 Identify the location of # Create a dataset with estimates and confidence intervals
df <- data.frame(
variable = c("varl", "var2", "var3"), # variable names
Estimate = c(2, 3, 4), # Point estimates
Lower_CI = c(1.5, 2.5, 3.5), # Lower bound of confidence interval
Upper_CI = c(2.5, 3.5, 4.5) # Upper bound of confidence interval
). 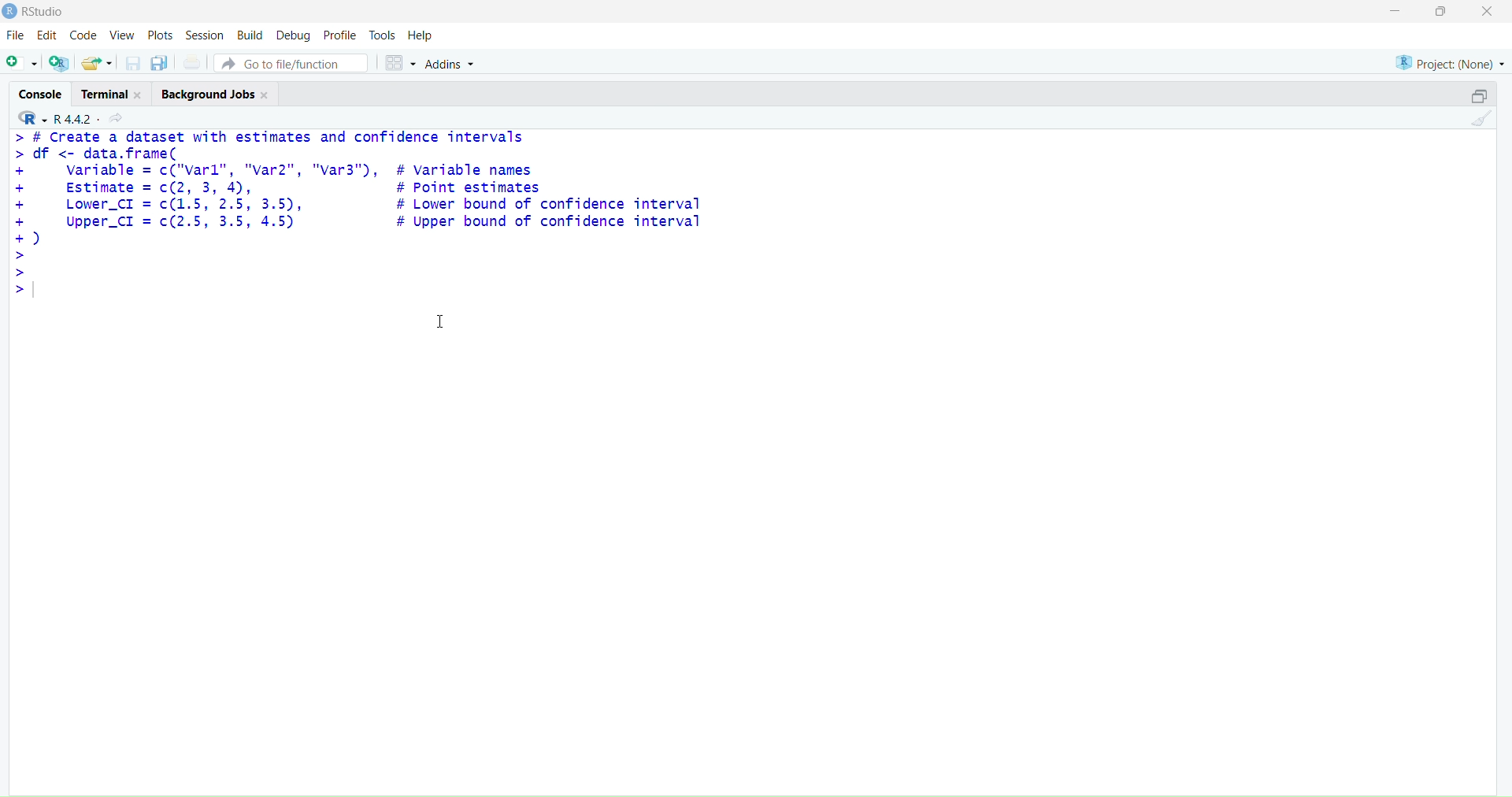
(367, 215).